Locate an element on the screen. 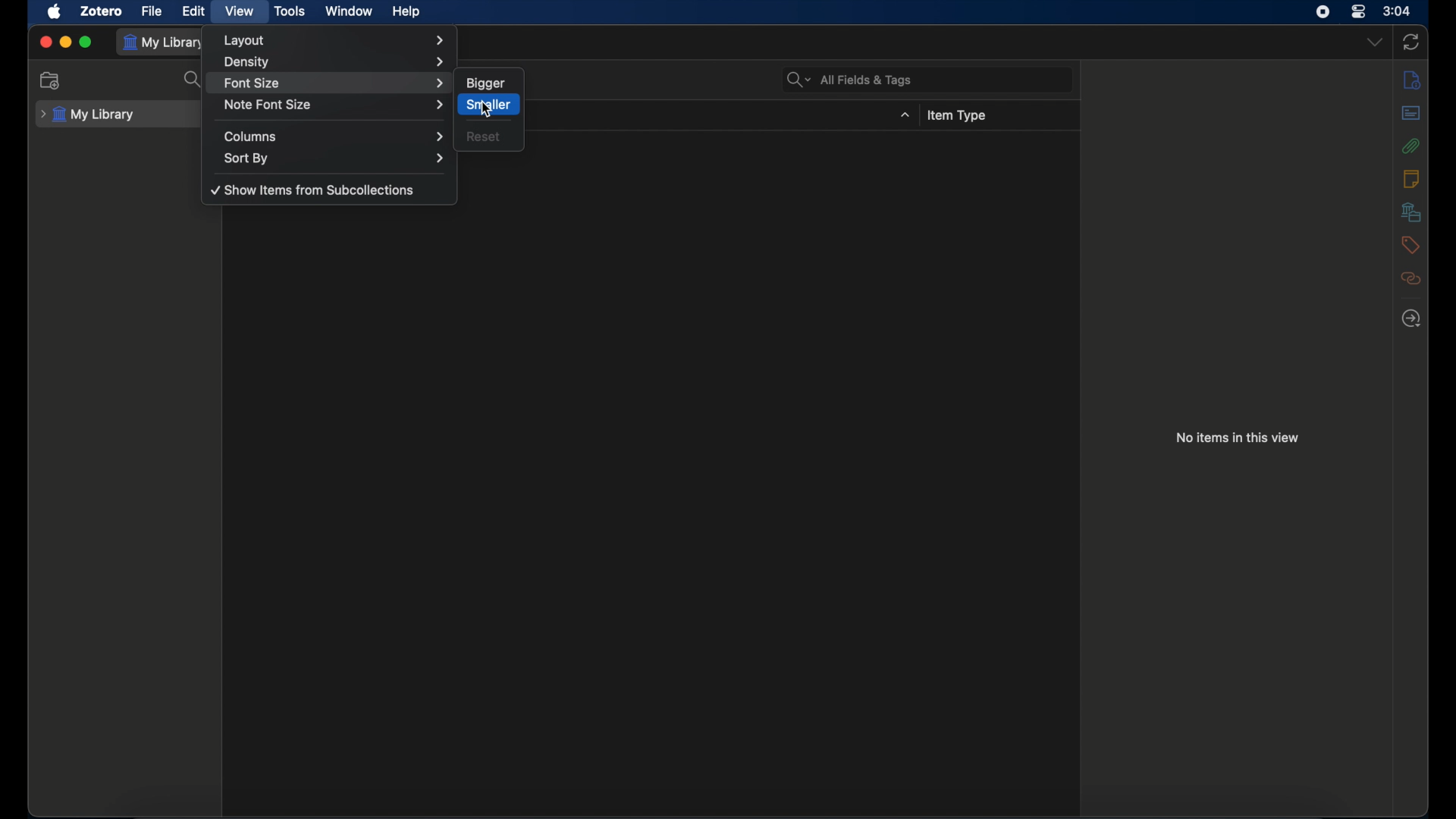 The height and width of the screenshot is (819, 1456). zotero is located at coordinates (103, 11).